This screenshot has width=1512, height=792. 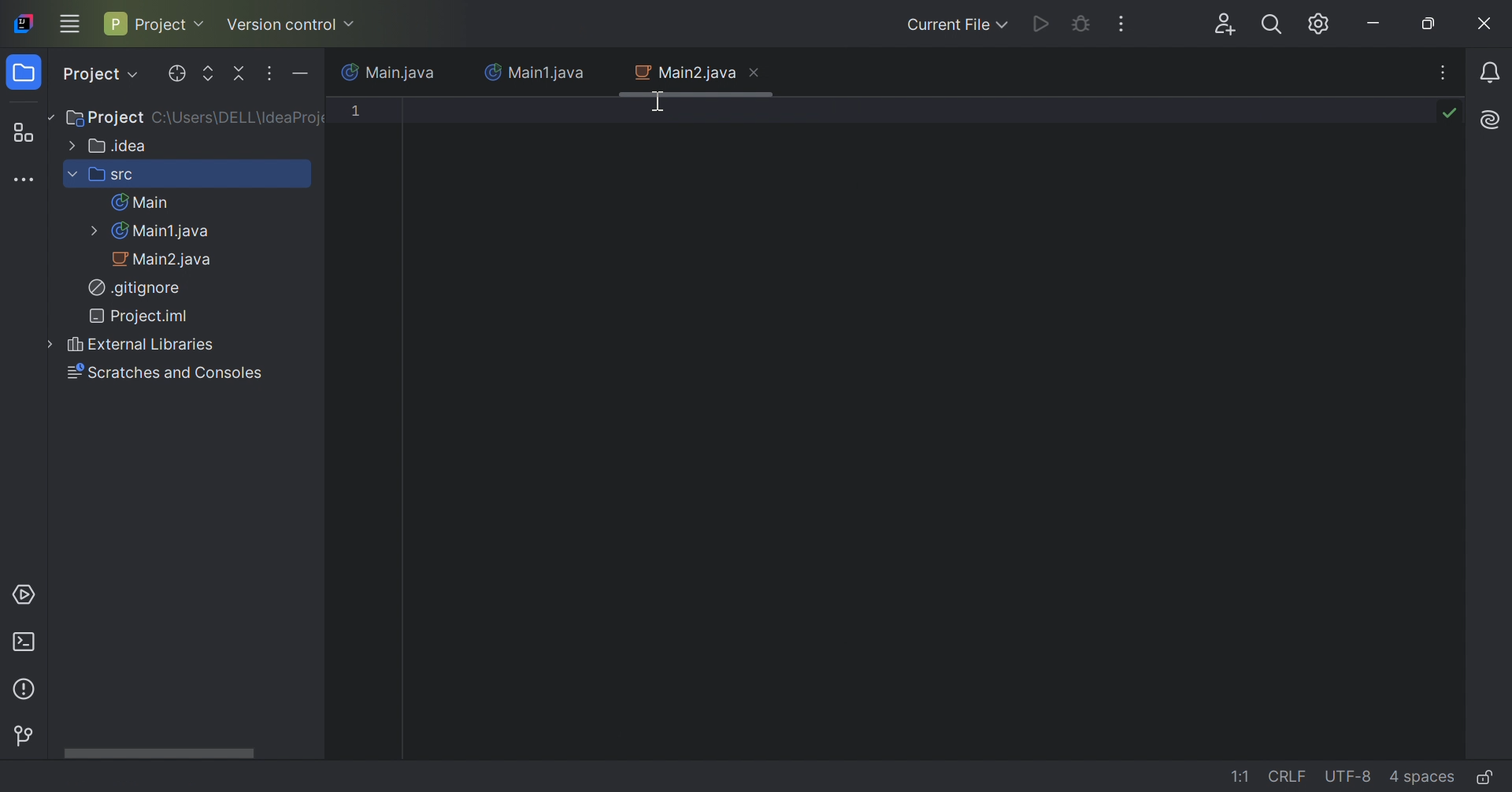 I want to click on Restore down, so click(x=1434, y=24).